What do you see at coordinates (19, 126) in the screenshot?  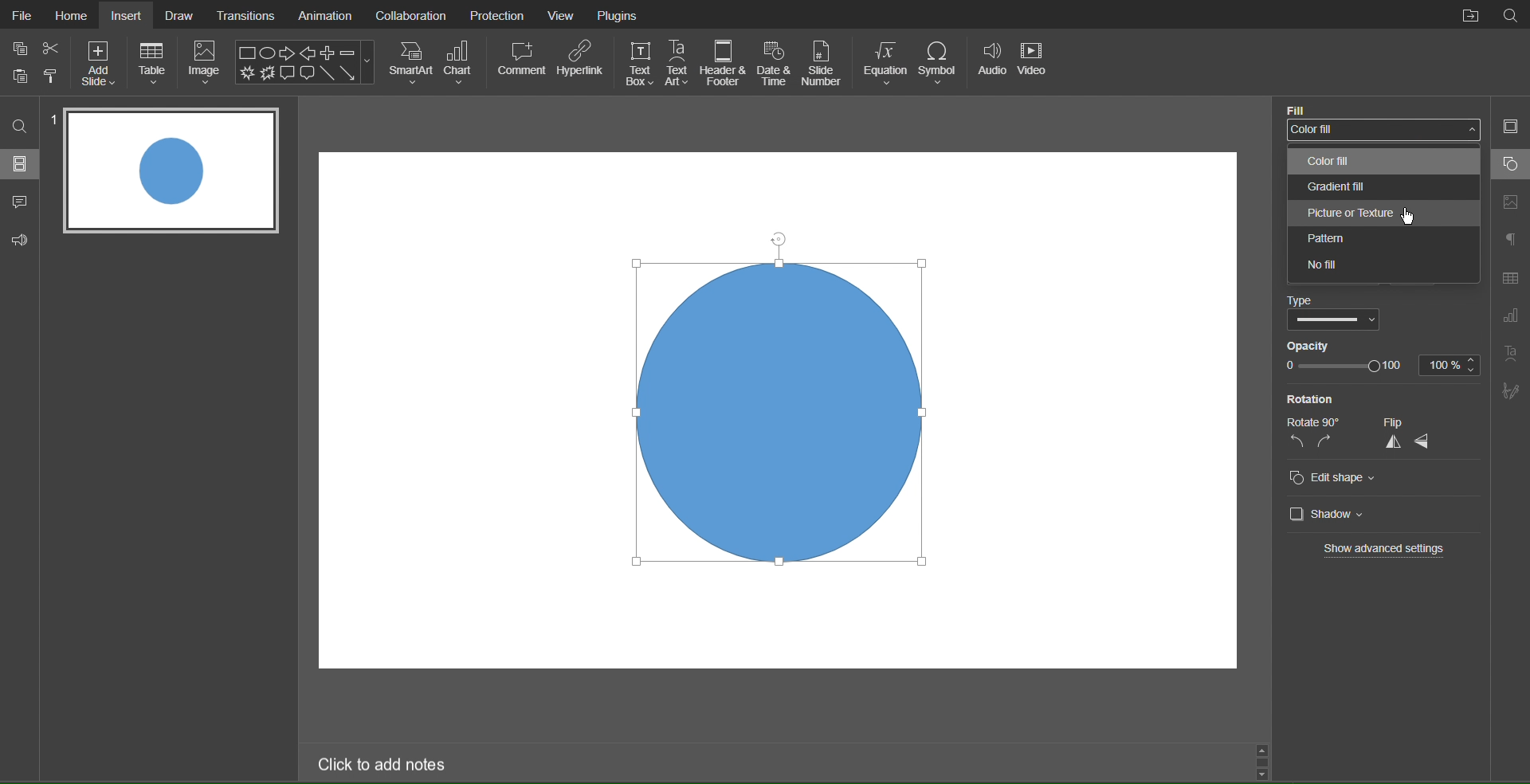 I see `Search` at bounding box center [19, 126].